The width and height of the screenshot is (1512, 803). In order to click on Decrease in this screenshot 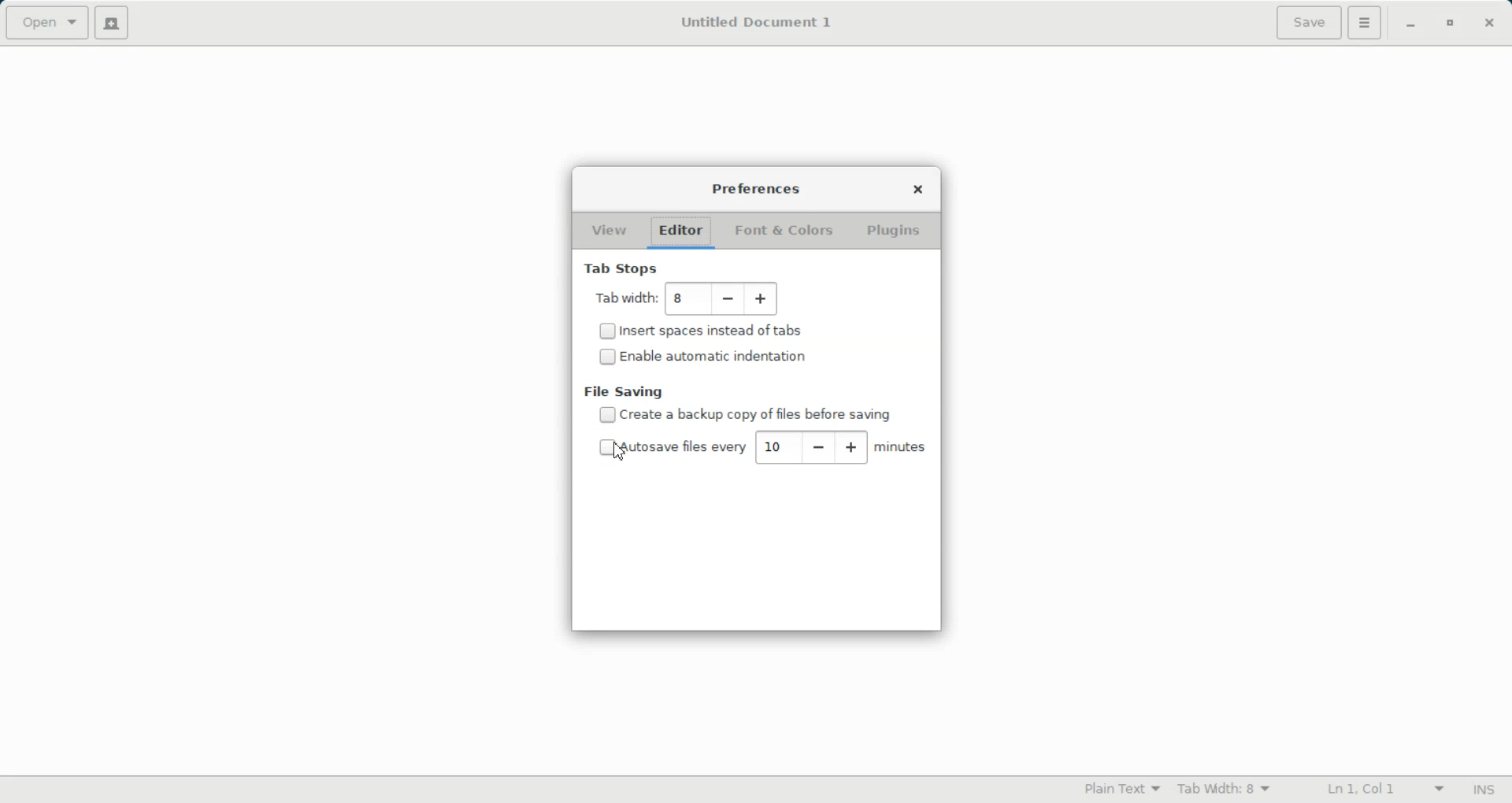, I will do `click(816, 446)`.